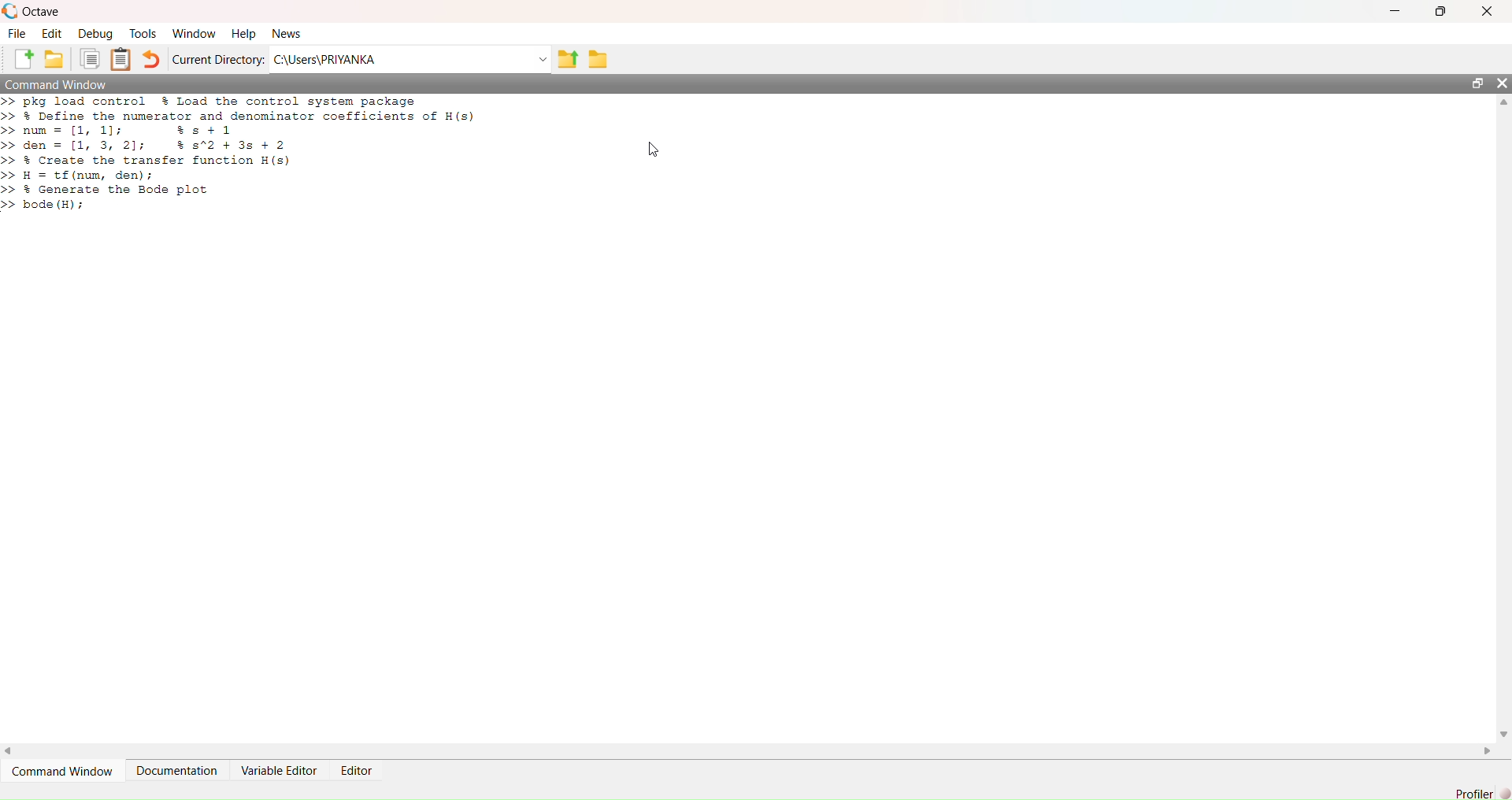  What do you see at coordinates (568, 58) in the screenshot?
I see `one directory up` at bounding box center [568, 58].